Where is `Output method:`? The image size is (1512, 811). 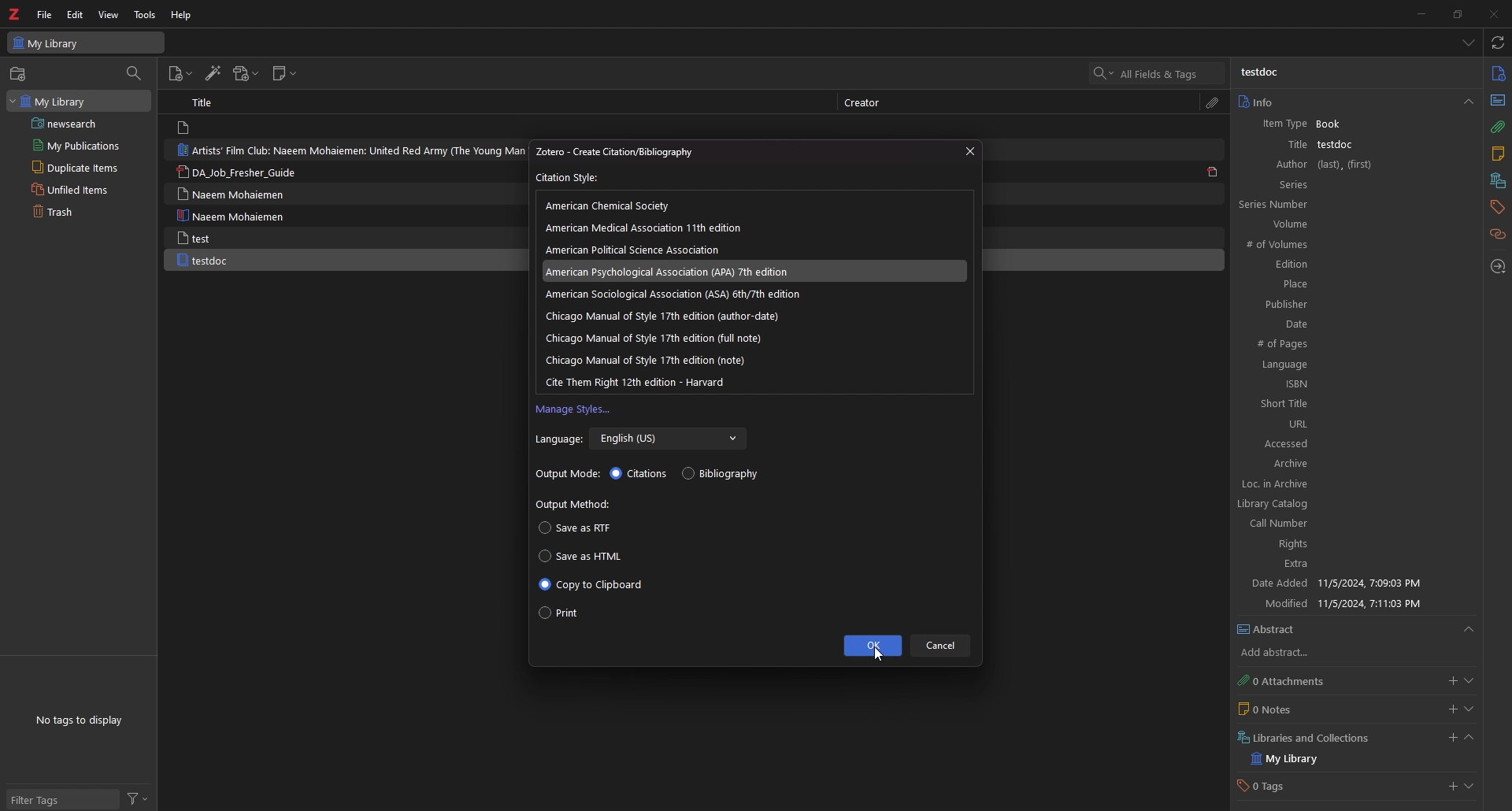 Output method: is located at coordinates (576, 505).